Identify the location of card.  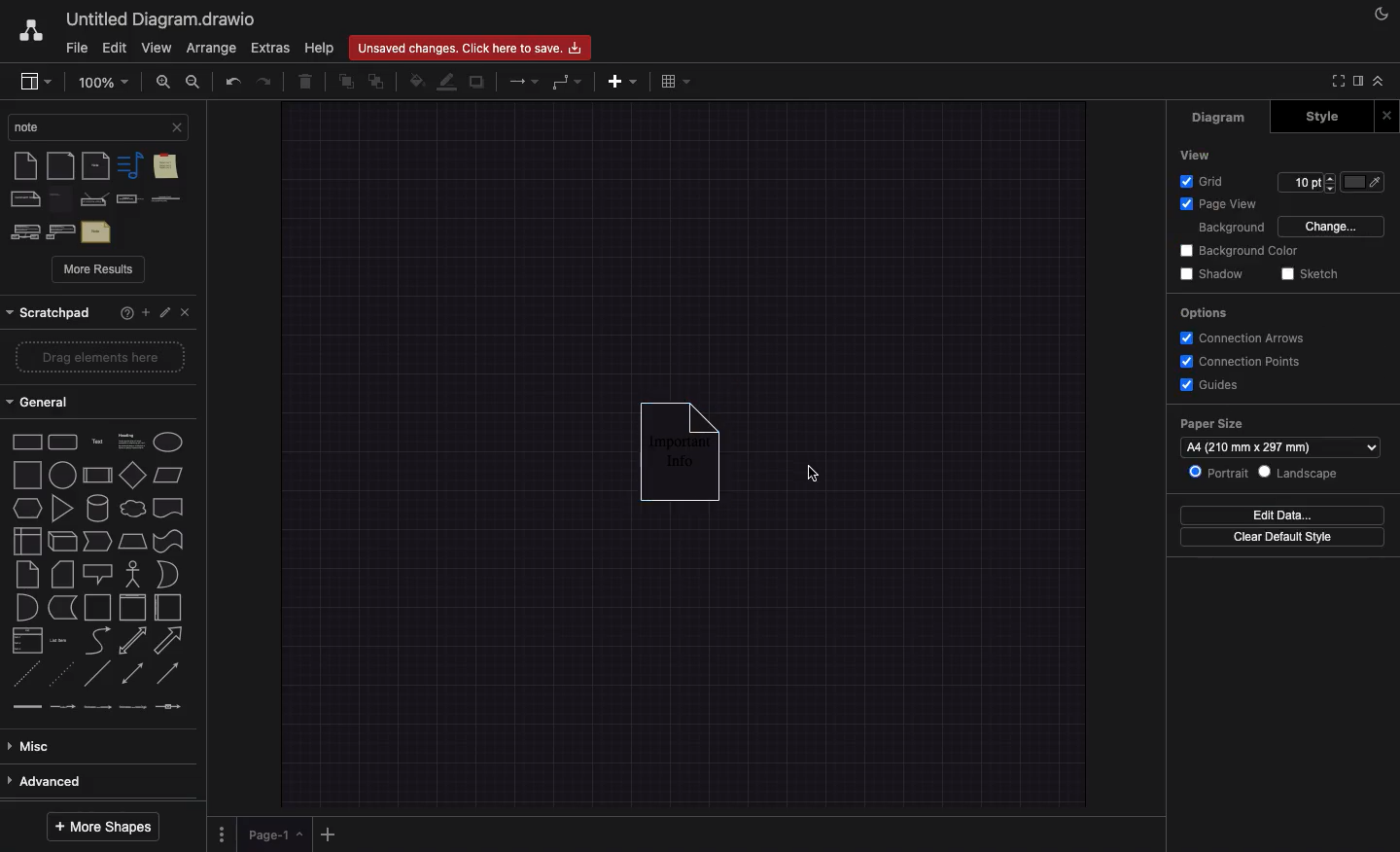
(61, 574).